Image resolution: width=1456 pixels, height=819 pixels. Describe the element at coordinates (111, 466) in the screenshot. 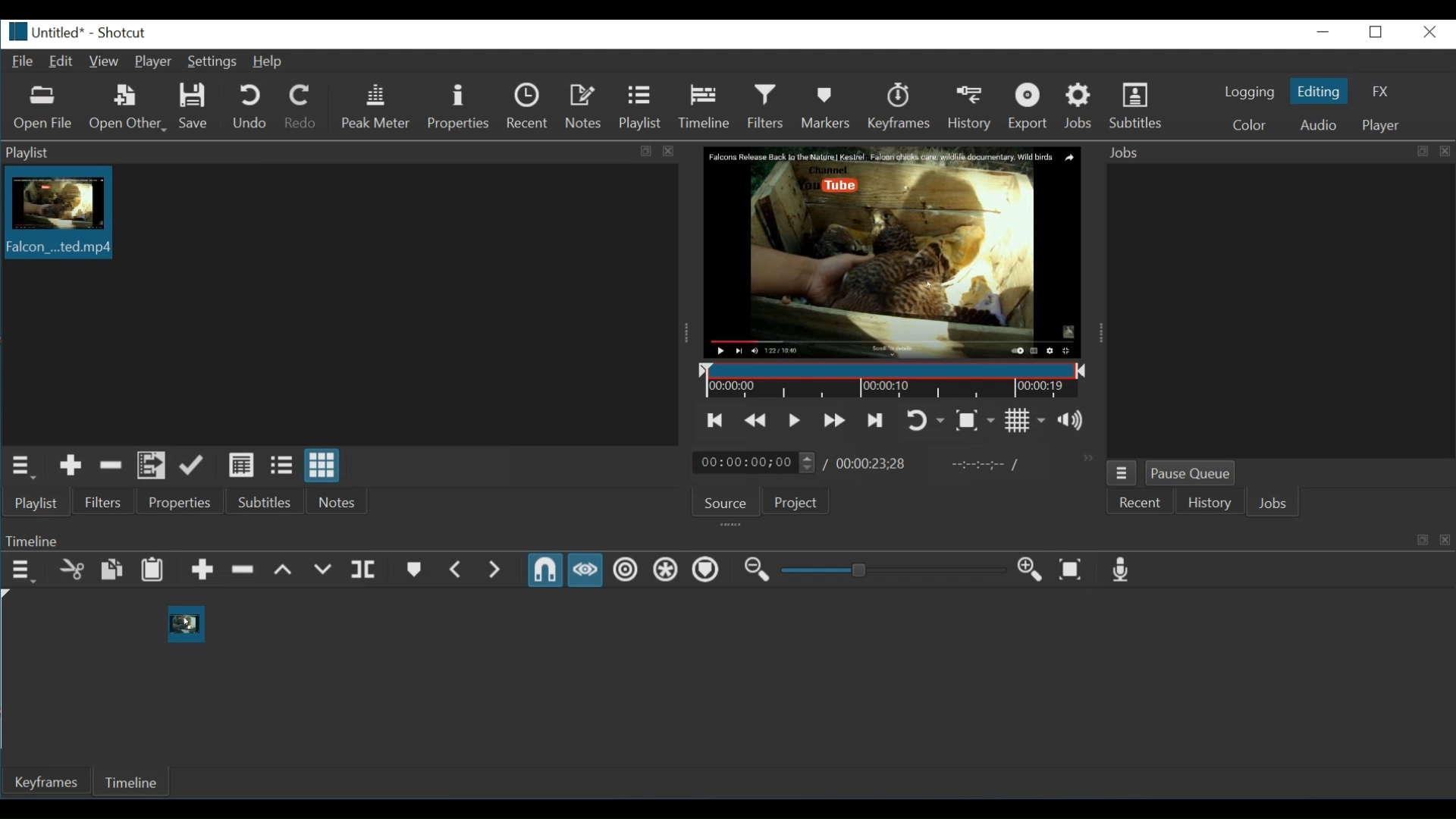

I see `Remove cut` at that location.